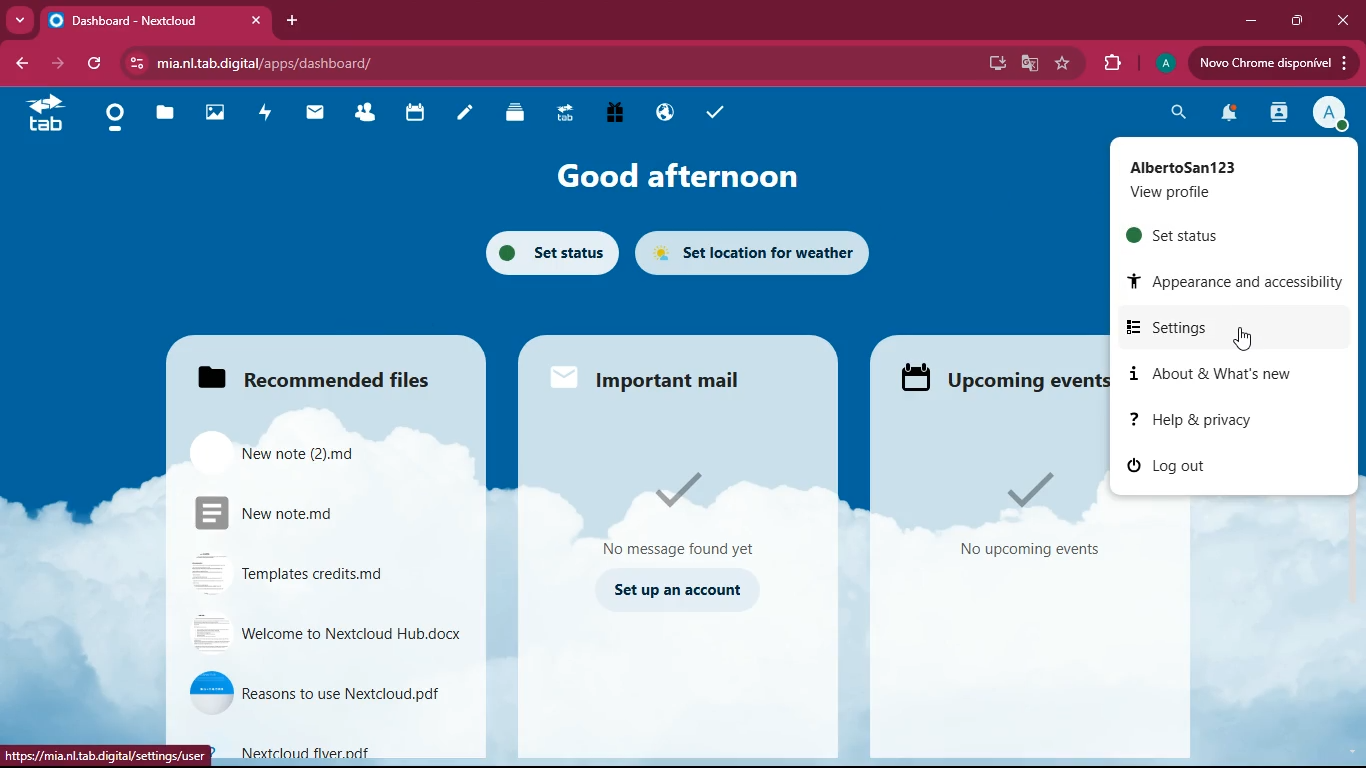  What do you see at coordinates (521, 114) in the screenshot?
I see `layers` at bounding box center [521, 114].